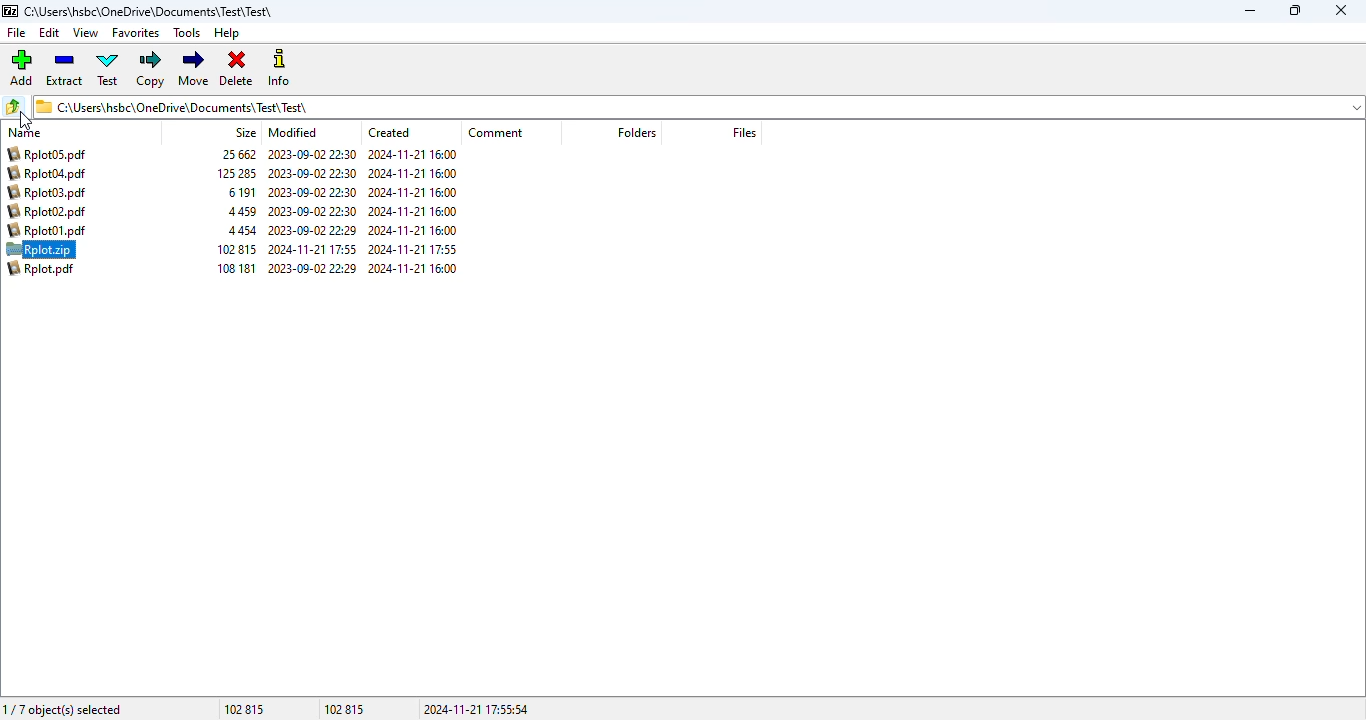  Describe the element at coordinates (236, 268) in the screenshot. I see `108 181` at that location.